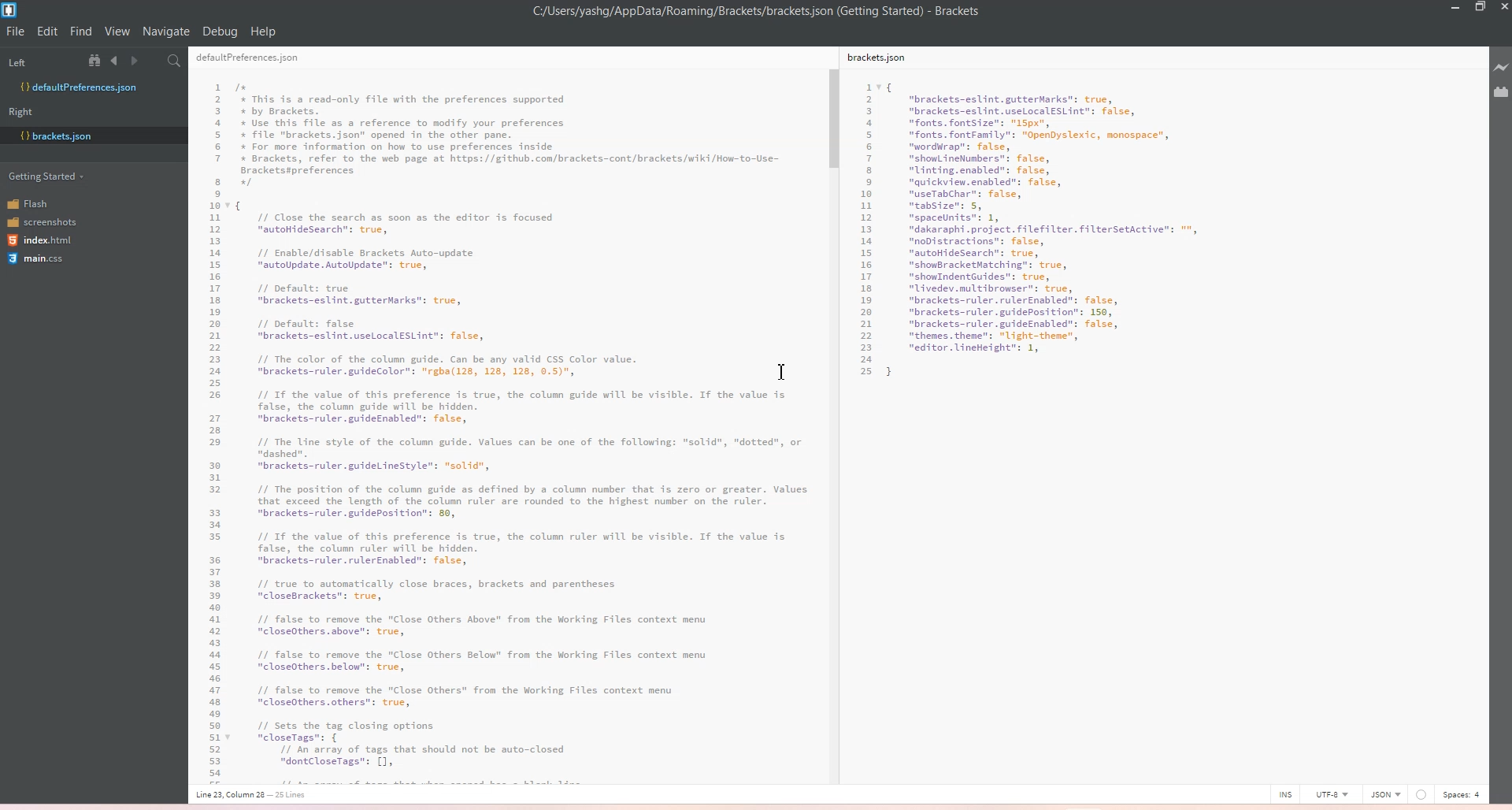  Describe the element at coordinates (257, 795) in the screenshot. I see `Line 23, Column 27 - 25 Lines` at that location.